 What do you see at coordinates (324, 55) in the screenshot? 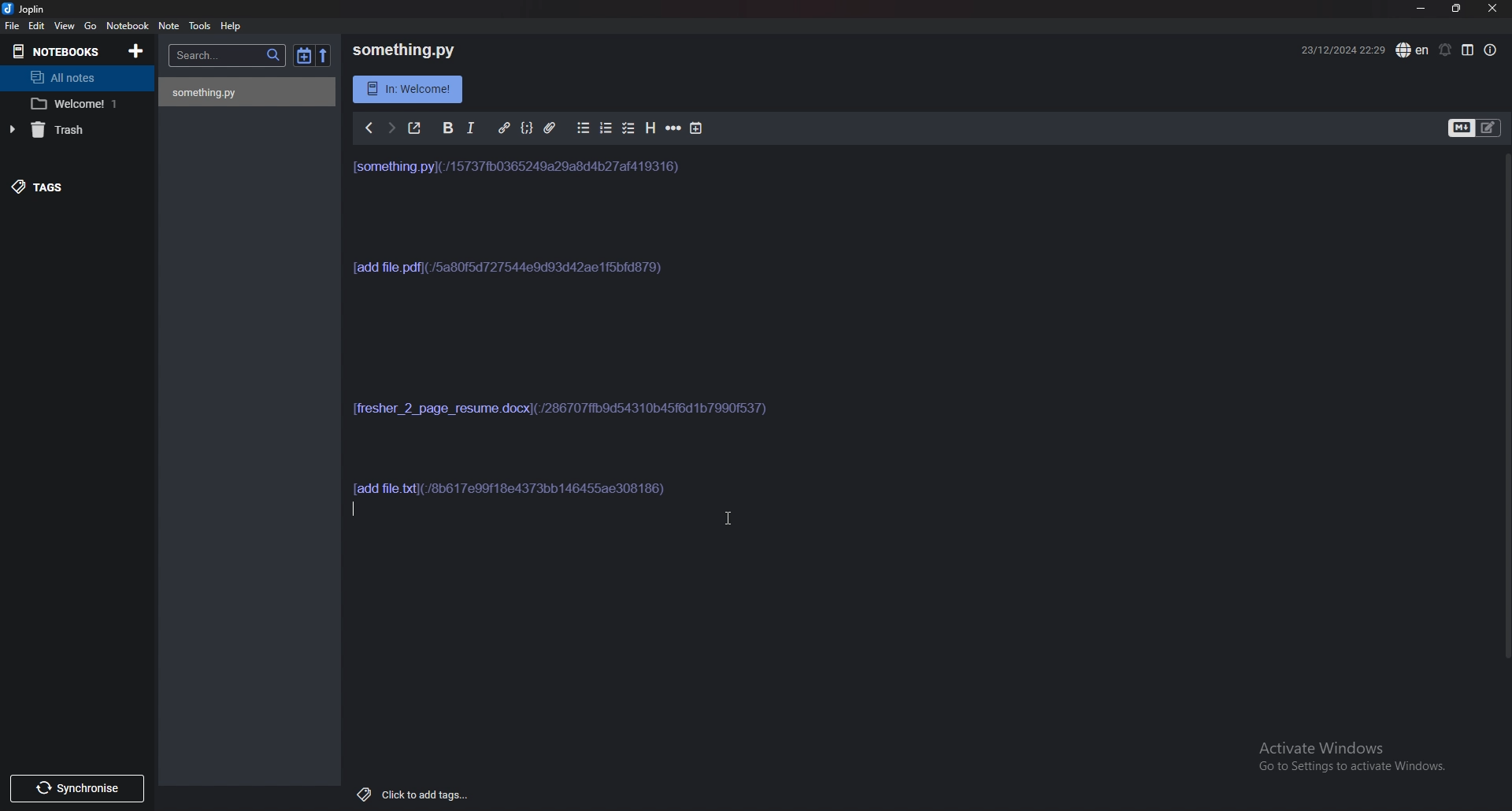
I see `Reverse sort order` at bounding box center [324, 55].